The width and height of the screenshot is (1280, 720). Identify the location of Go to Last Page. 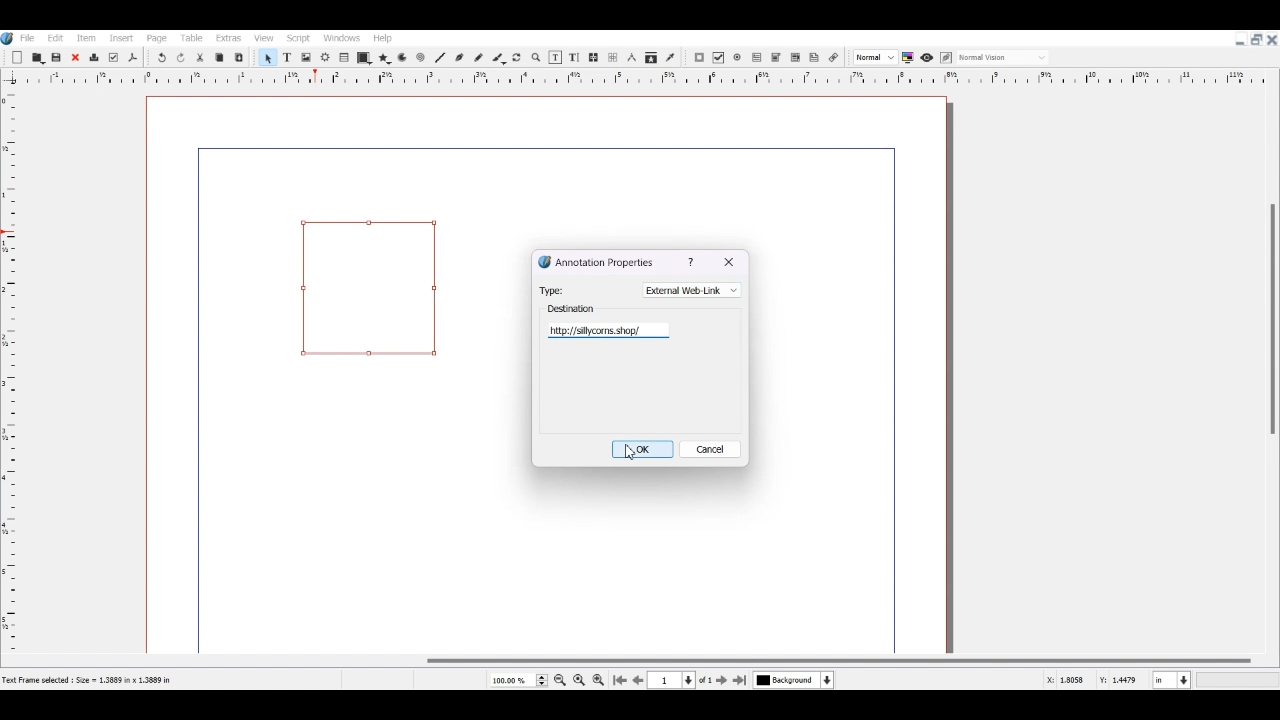
(742, 681).